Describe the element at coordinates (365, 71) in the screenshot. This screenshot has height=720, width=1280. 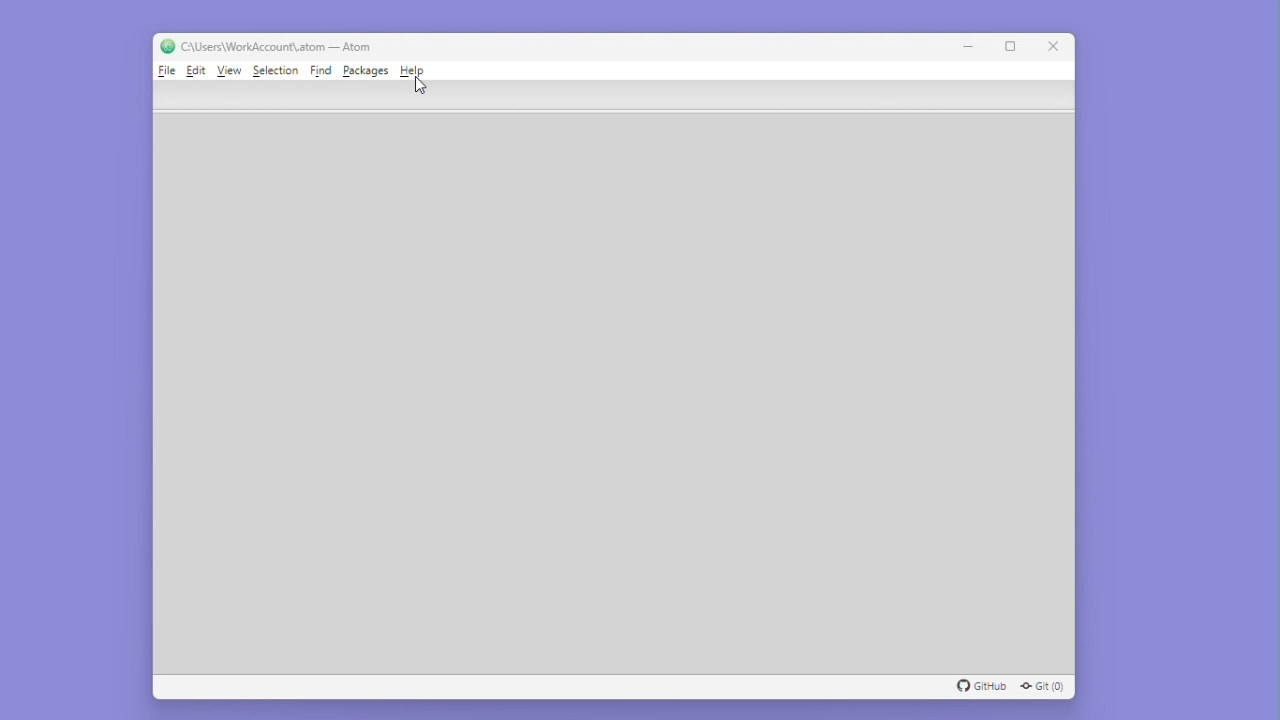
I see `Packages` at that location.